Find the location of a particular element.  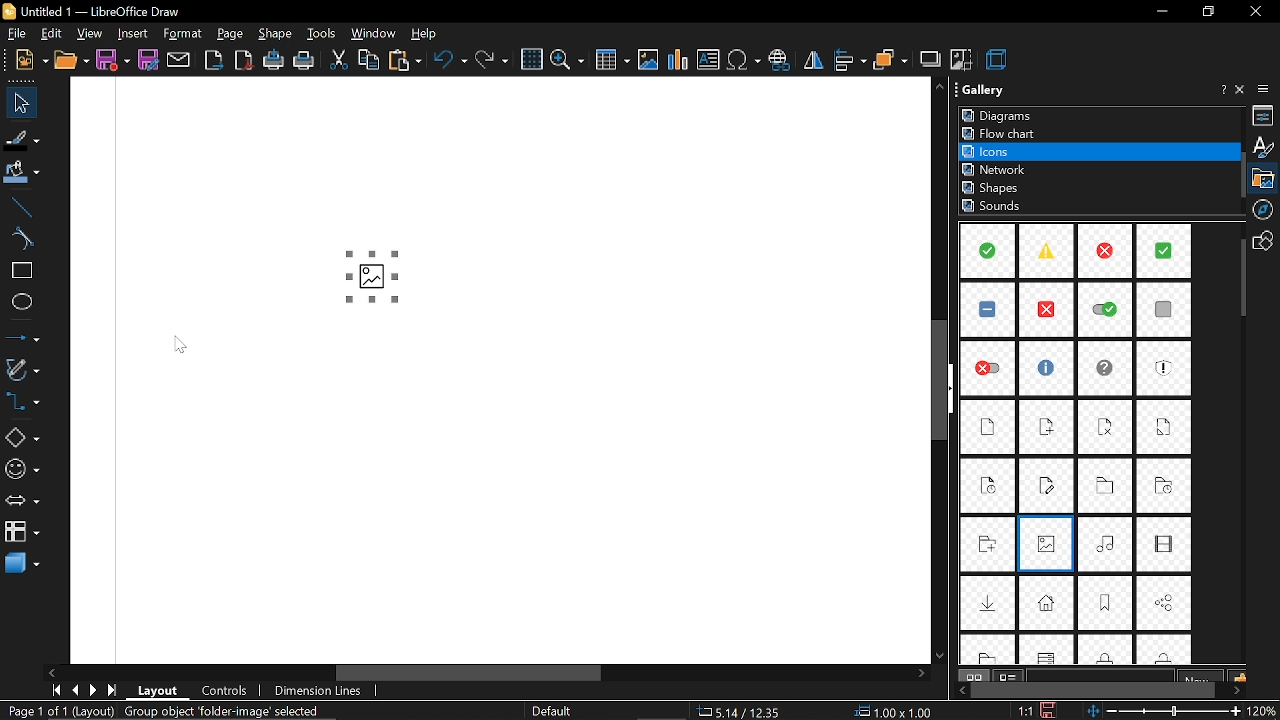

arrows is located at coordinates (20, 503).